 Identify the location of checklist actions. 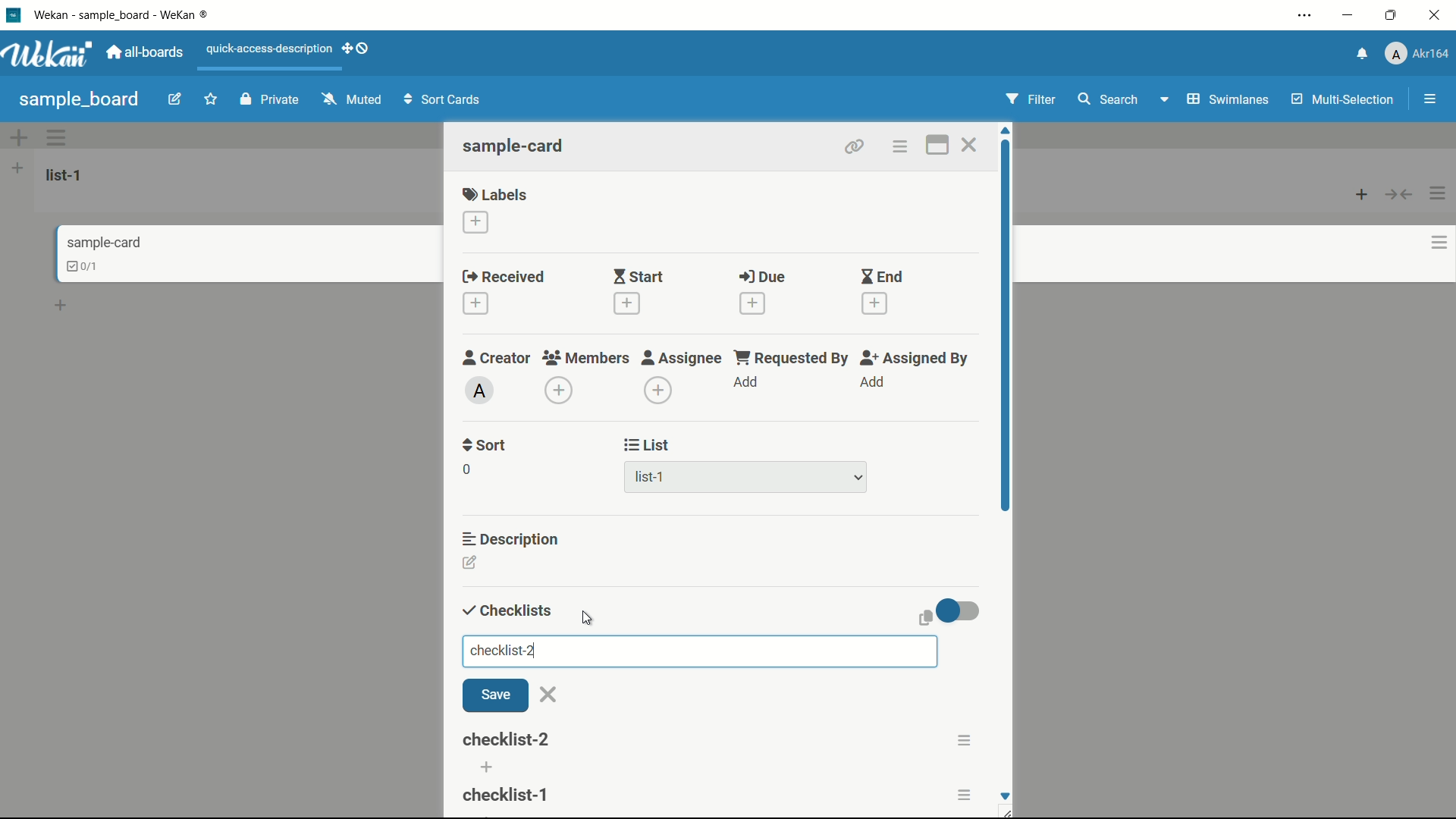
(964, 740).